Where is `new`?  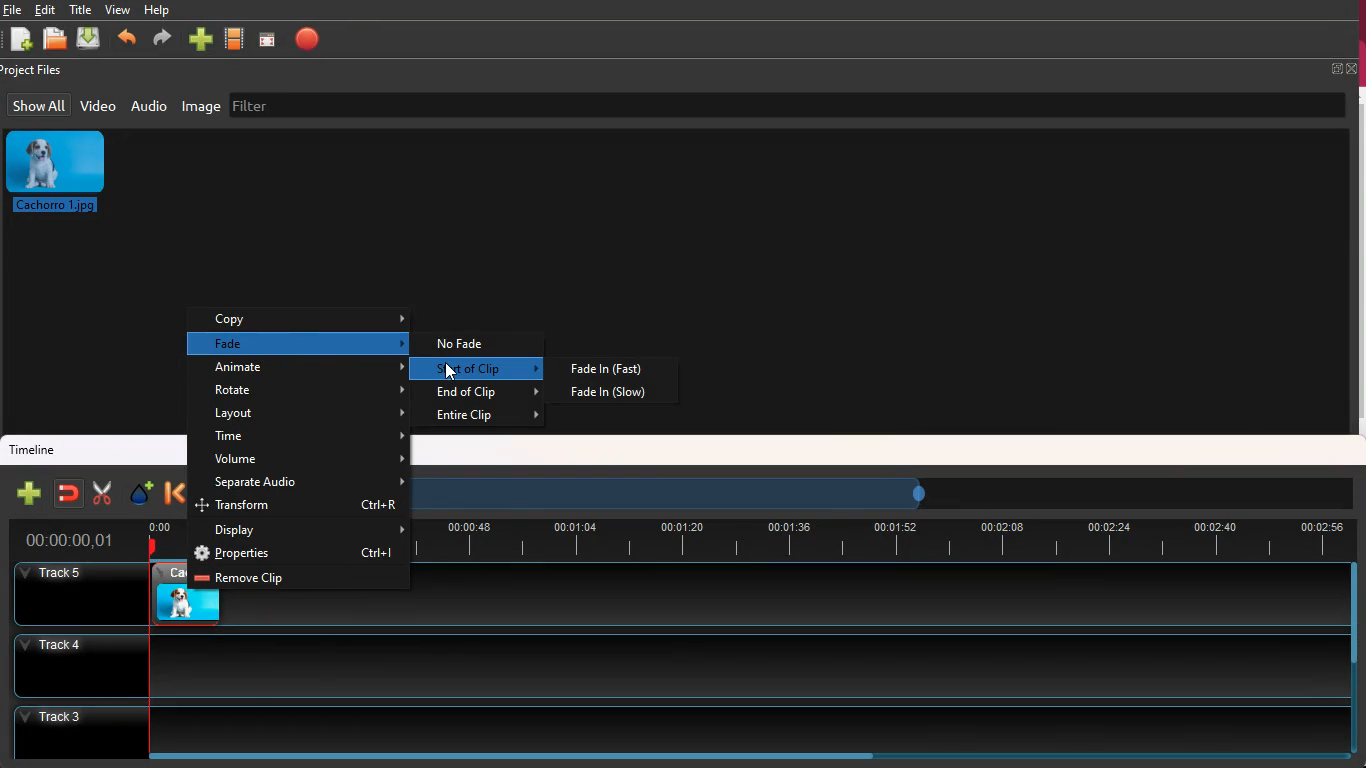 new is located at coordinates (20, 40).